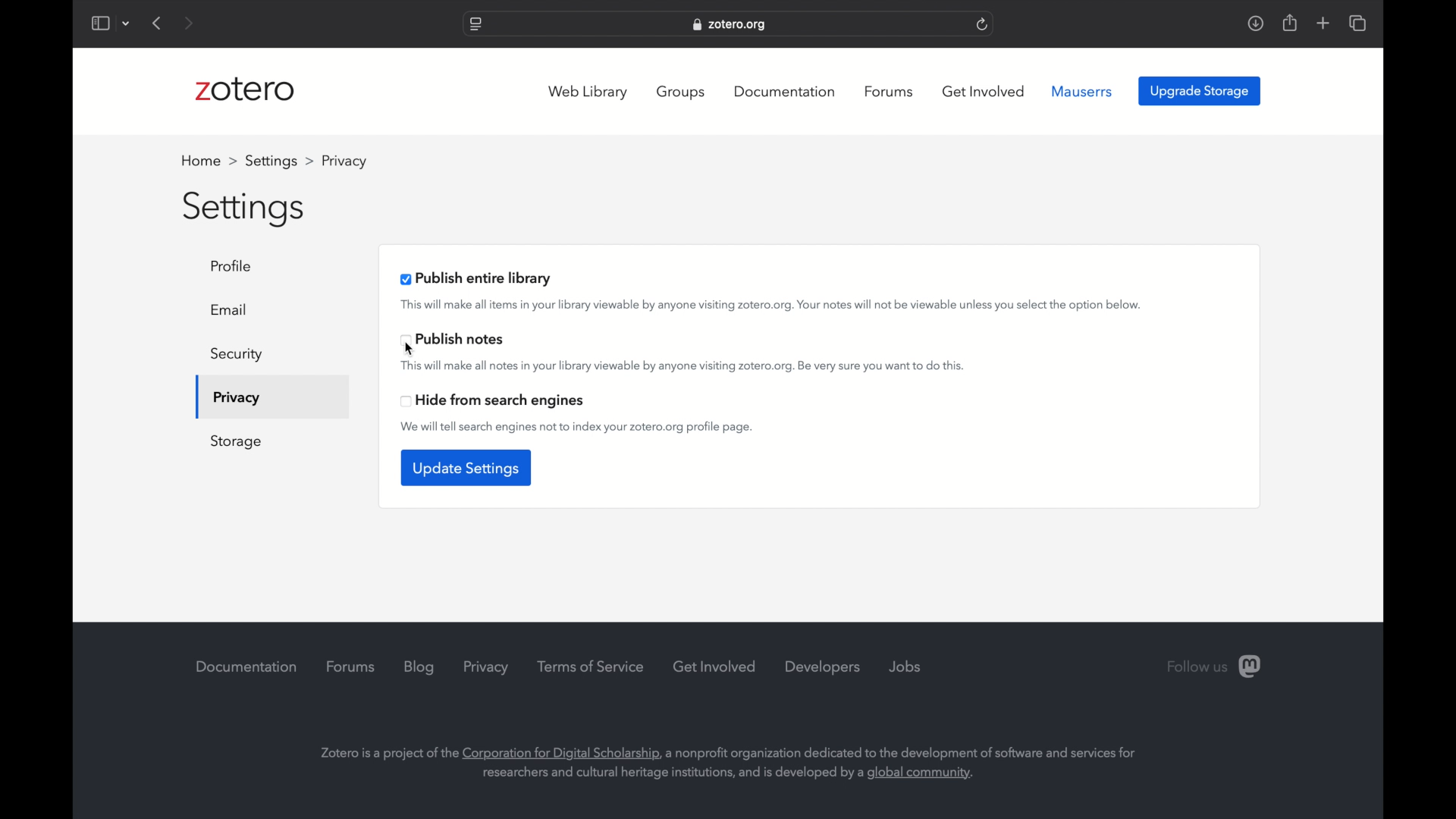  I want to click on settings, so click(279, 161).